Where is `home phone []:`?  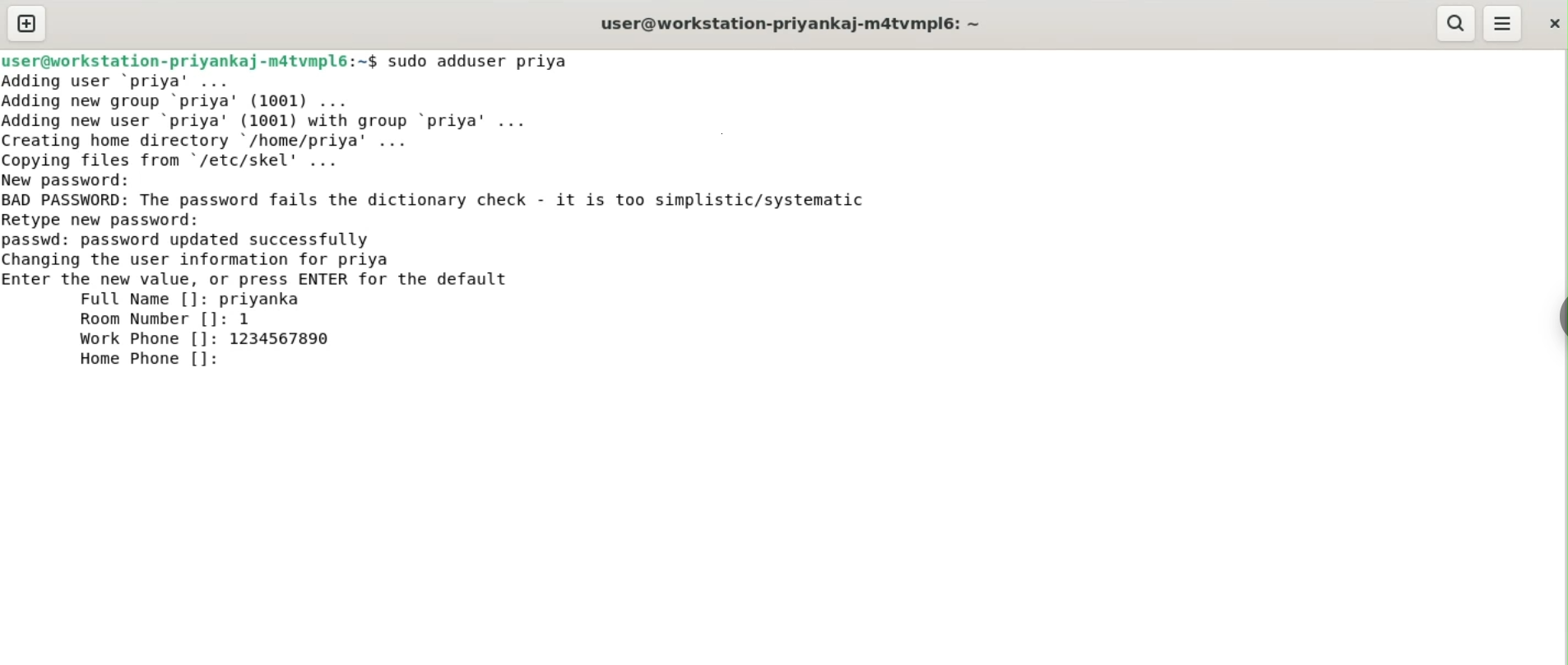
home phone []: is located at coordinates (150, 361).